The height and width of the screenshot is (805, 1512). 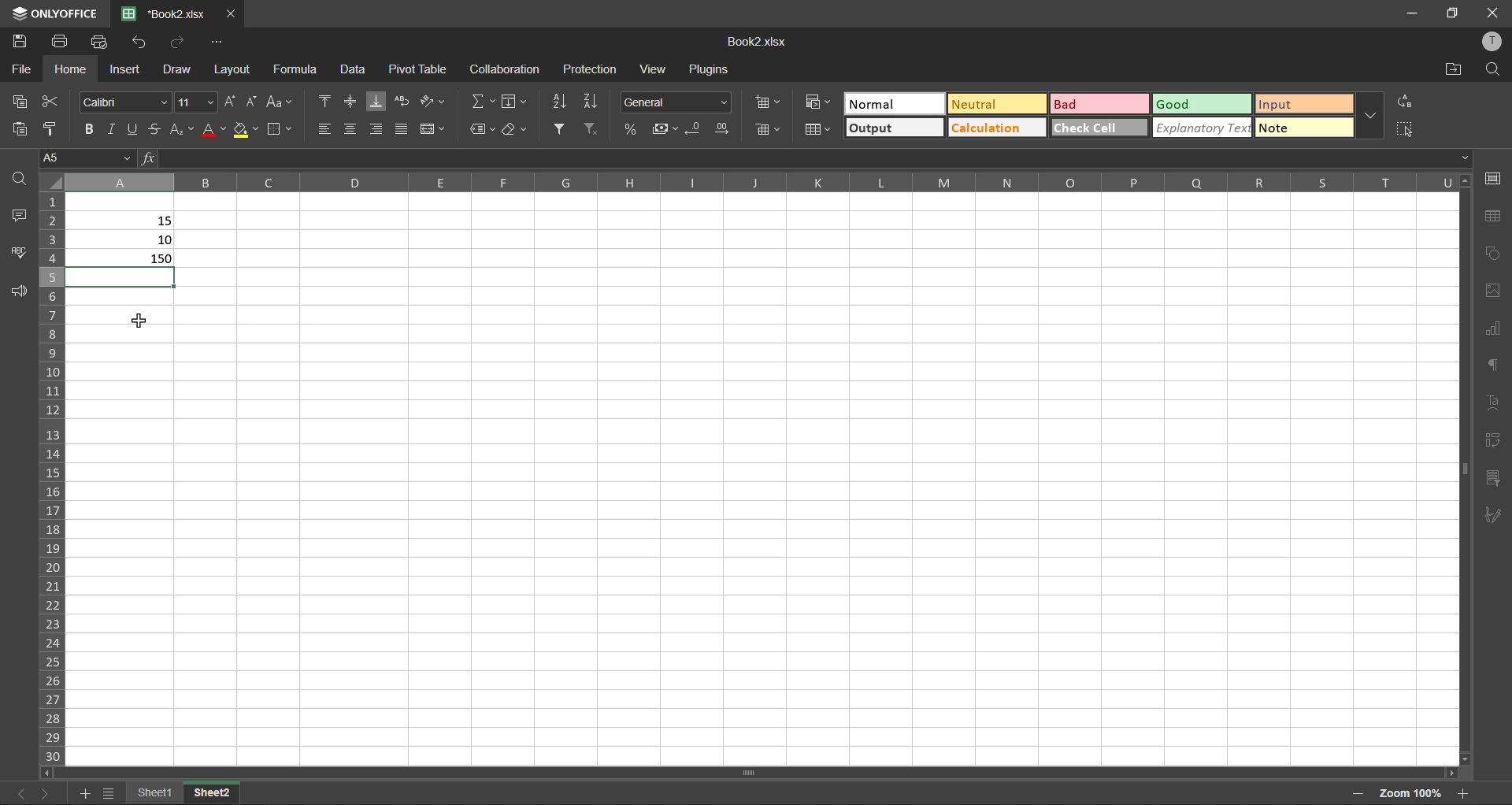 What do you see at coordinates (764, 104) in the screenshot?
I see `insert cells` at bounding box center [764, 104].